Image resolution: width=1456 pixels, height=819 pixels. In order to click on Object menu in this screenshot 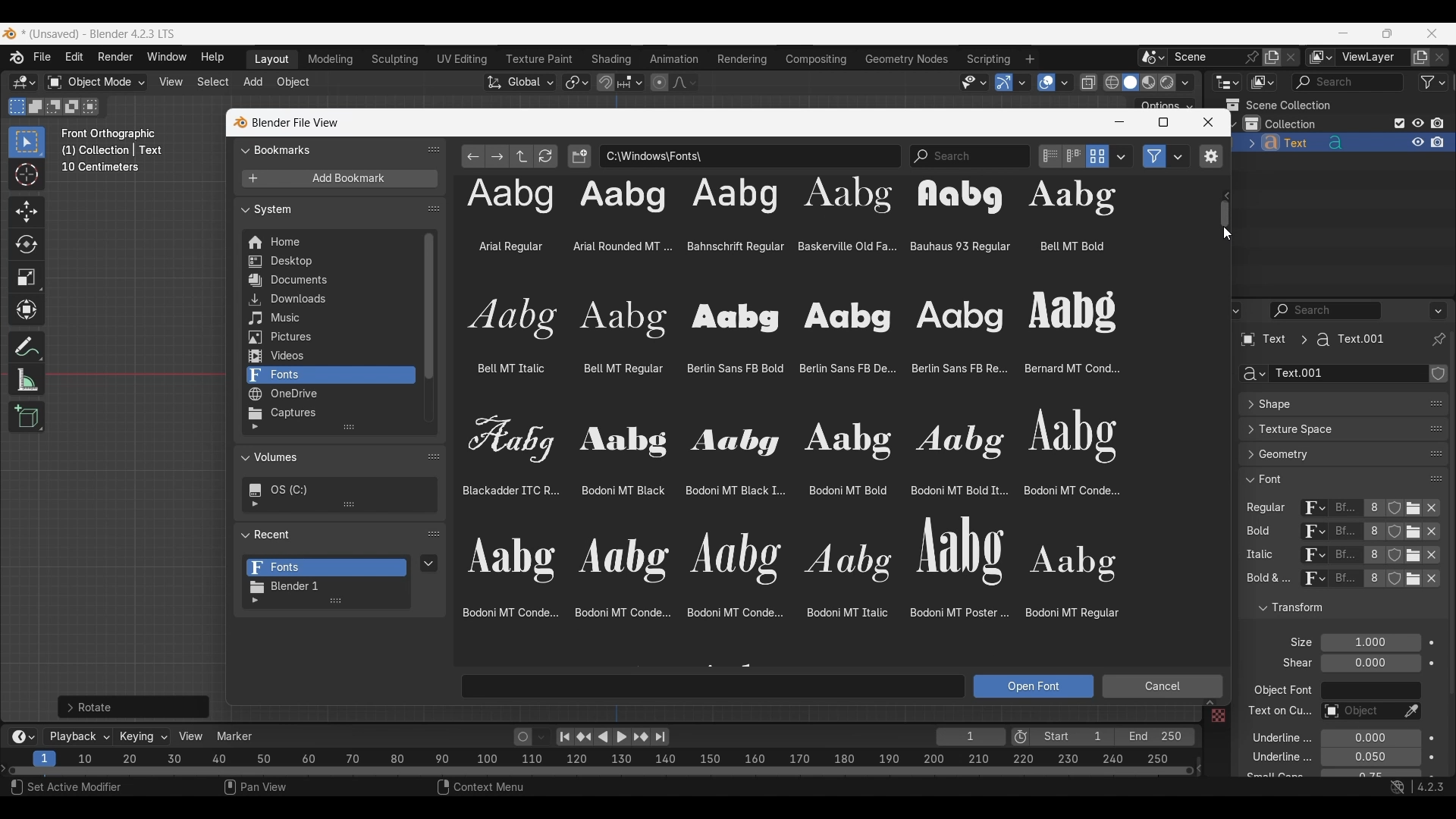, I will do `click(294, 83)`.